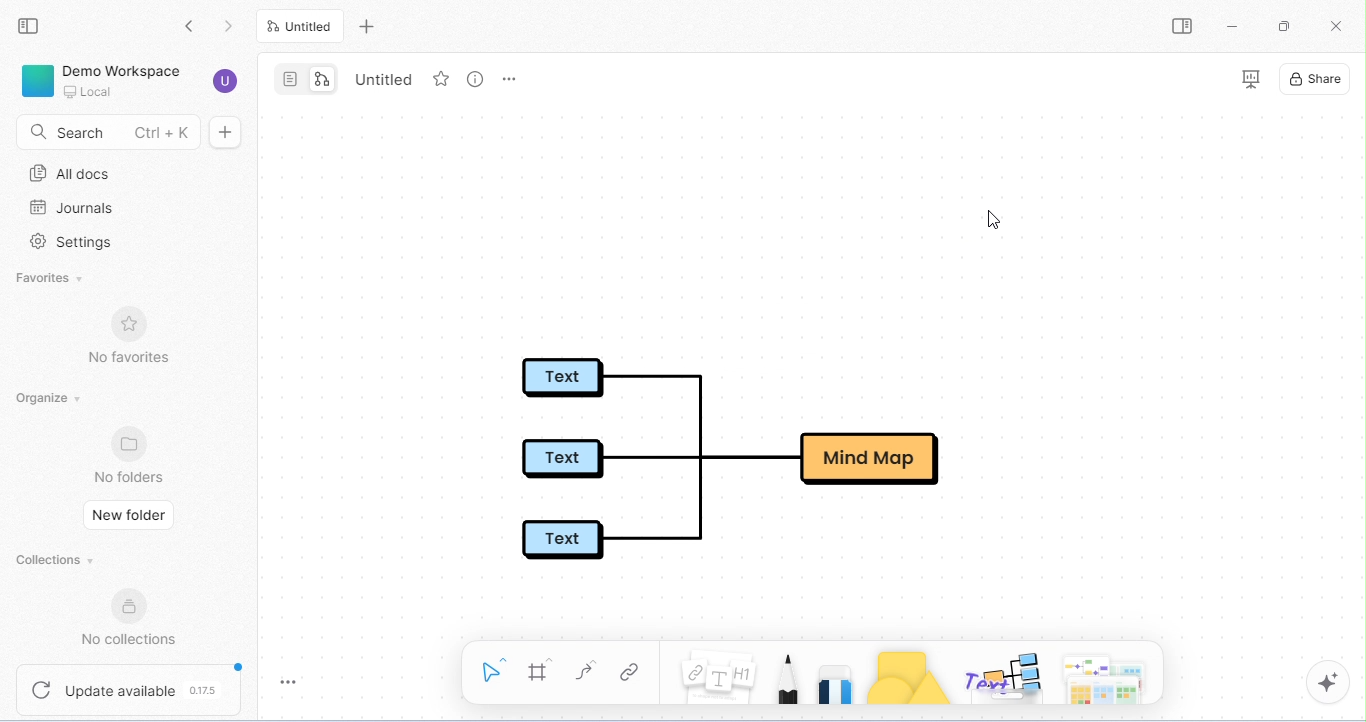 This screenshot has height=722, width=1366. What do you see at coordinates (750, 457) in the screenshot?
I see `format of mind map and texts have been changed` at bounding box center [750, 457].